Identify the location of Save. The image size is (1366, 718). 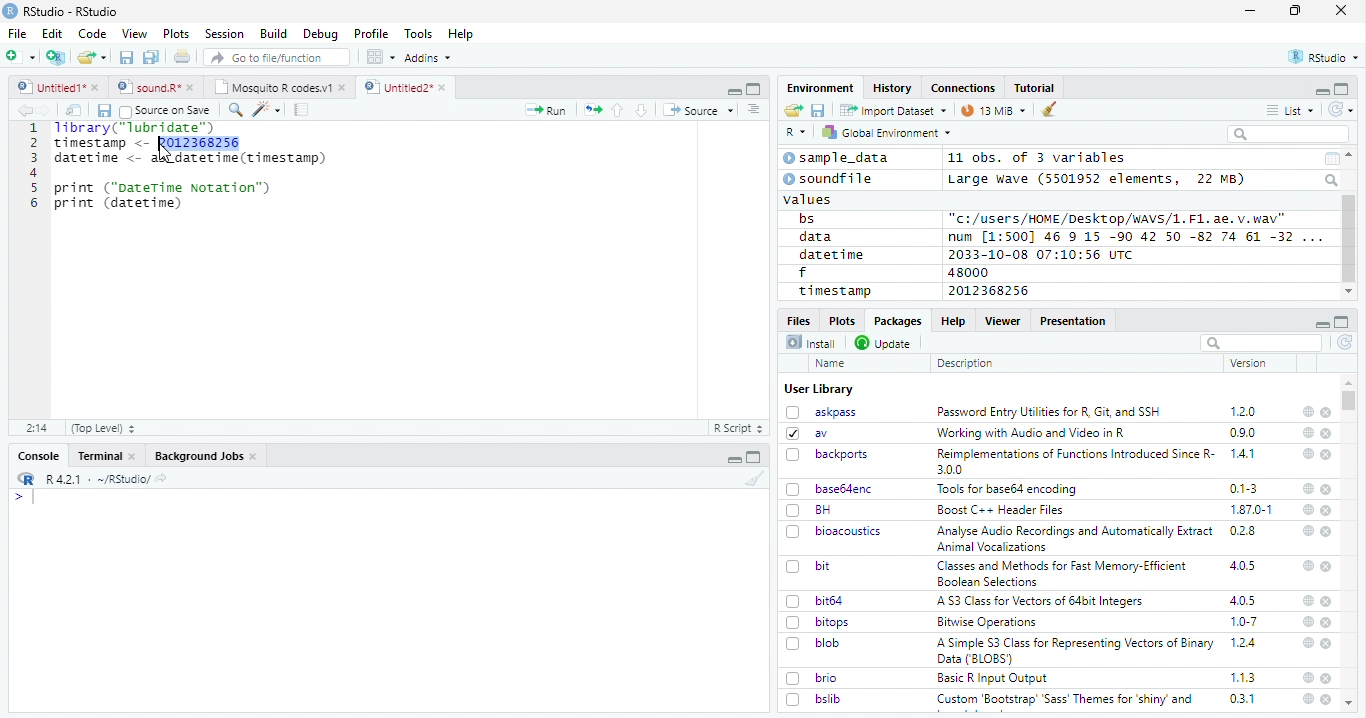
(103, 111).